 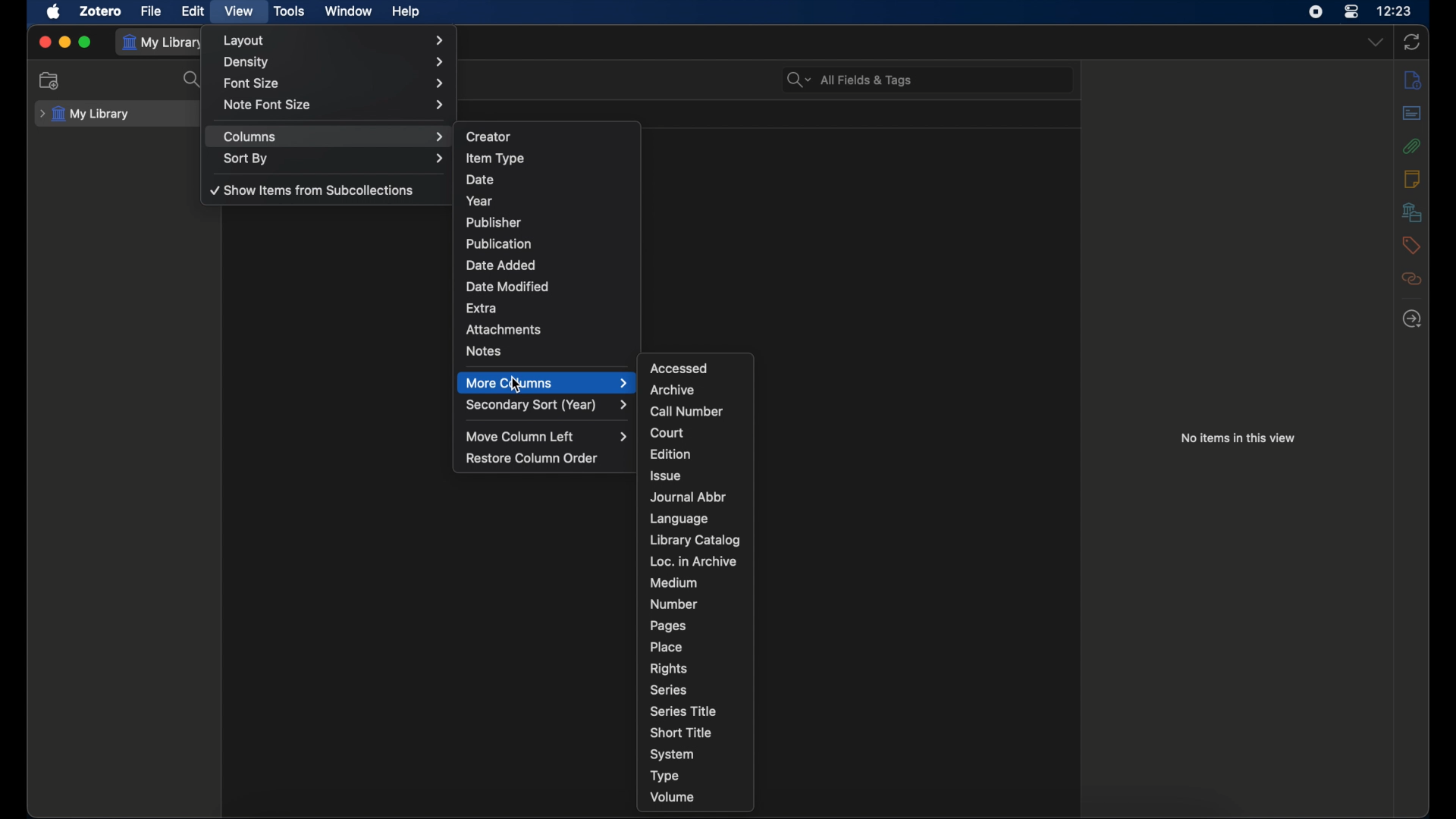 I want to click on creator, so click(x=490, y=136).